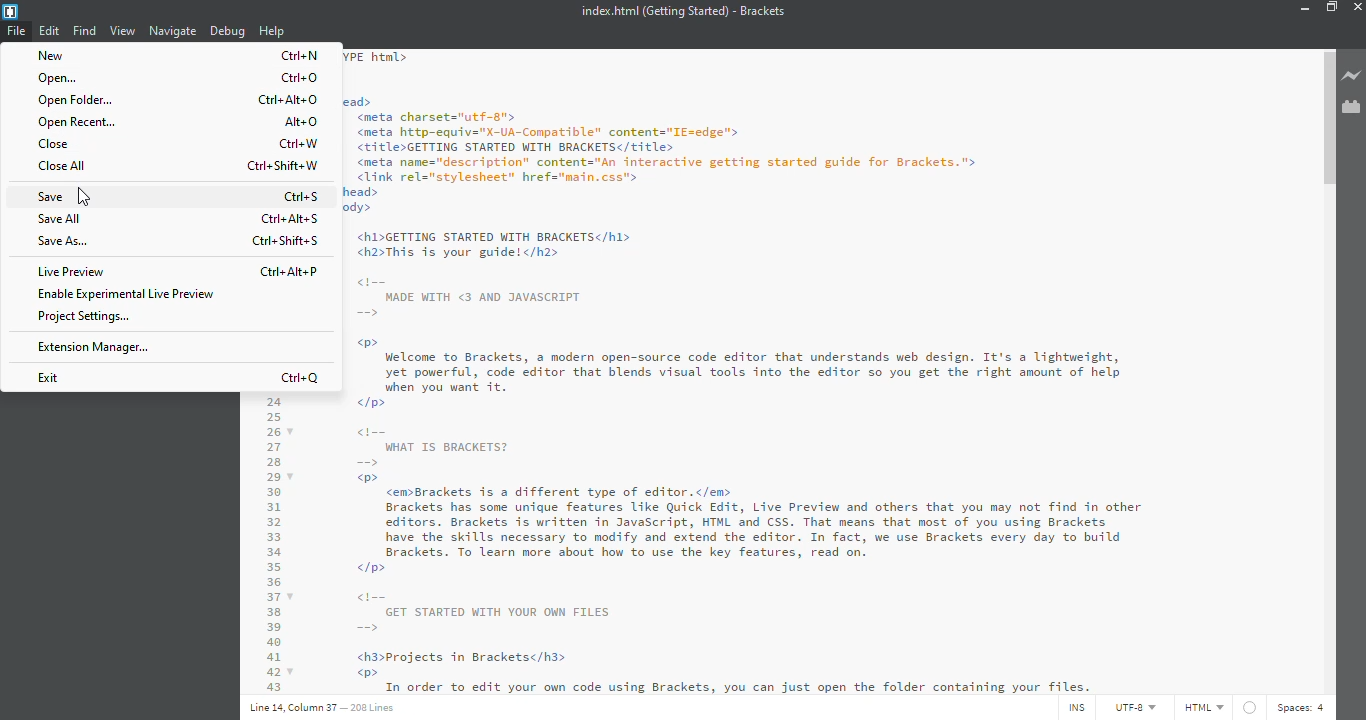  I want to click on view, so click(123, 31).